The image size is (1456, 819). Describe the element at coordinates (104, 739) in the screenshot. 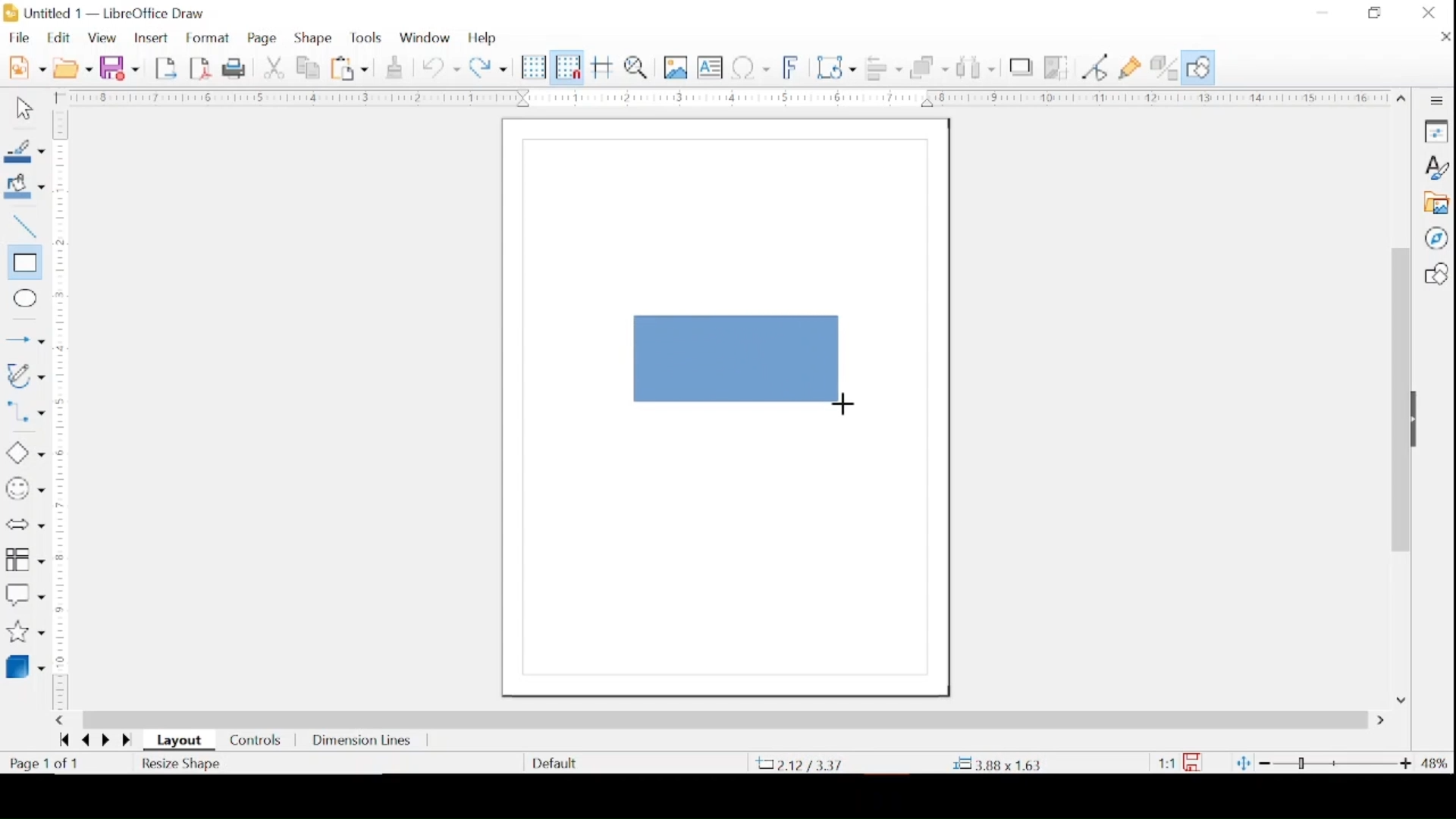

I see `next` at that location.